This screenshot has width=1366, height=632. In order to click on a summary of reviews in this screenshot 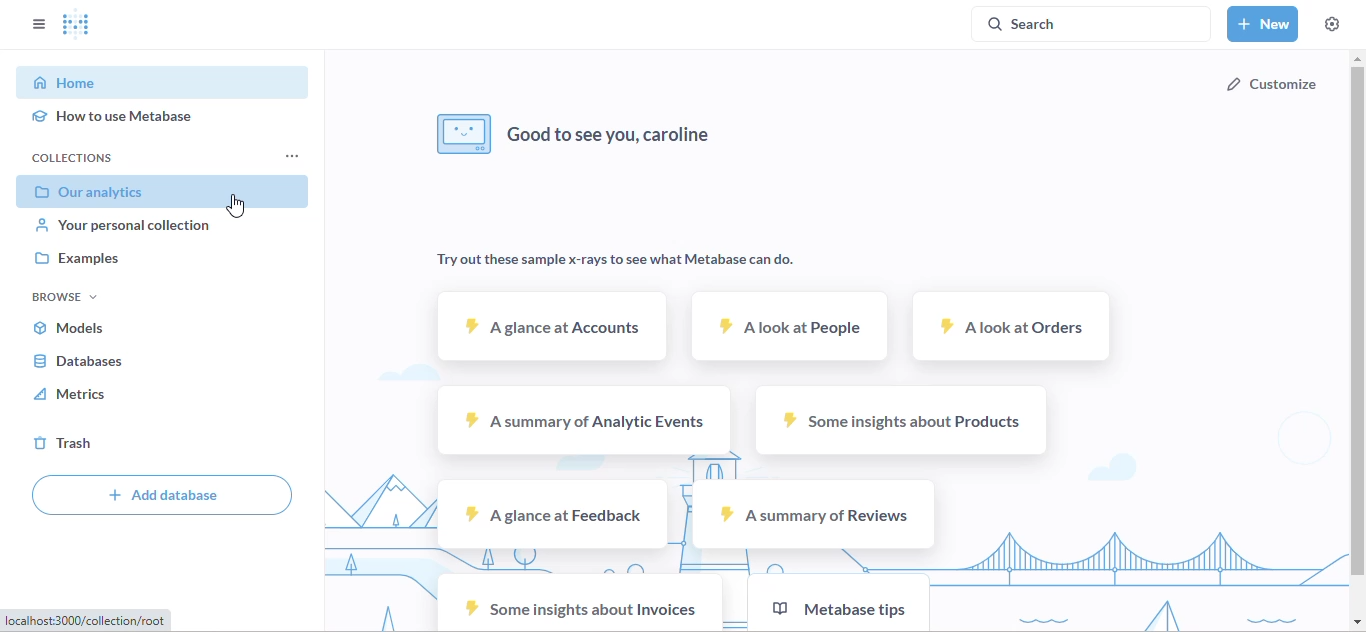, I will do `click(814, 514)`.